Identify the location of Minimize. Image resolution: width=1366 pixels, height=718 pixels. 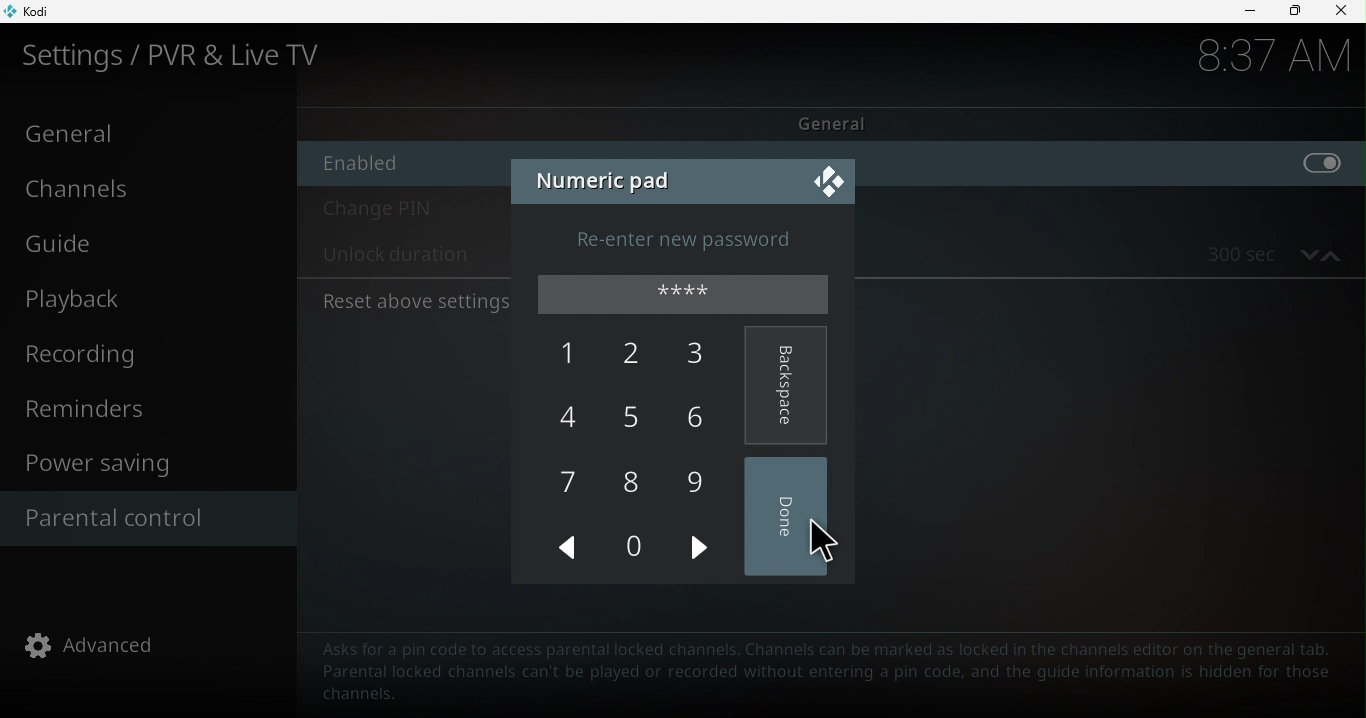
(1249, 13).